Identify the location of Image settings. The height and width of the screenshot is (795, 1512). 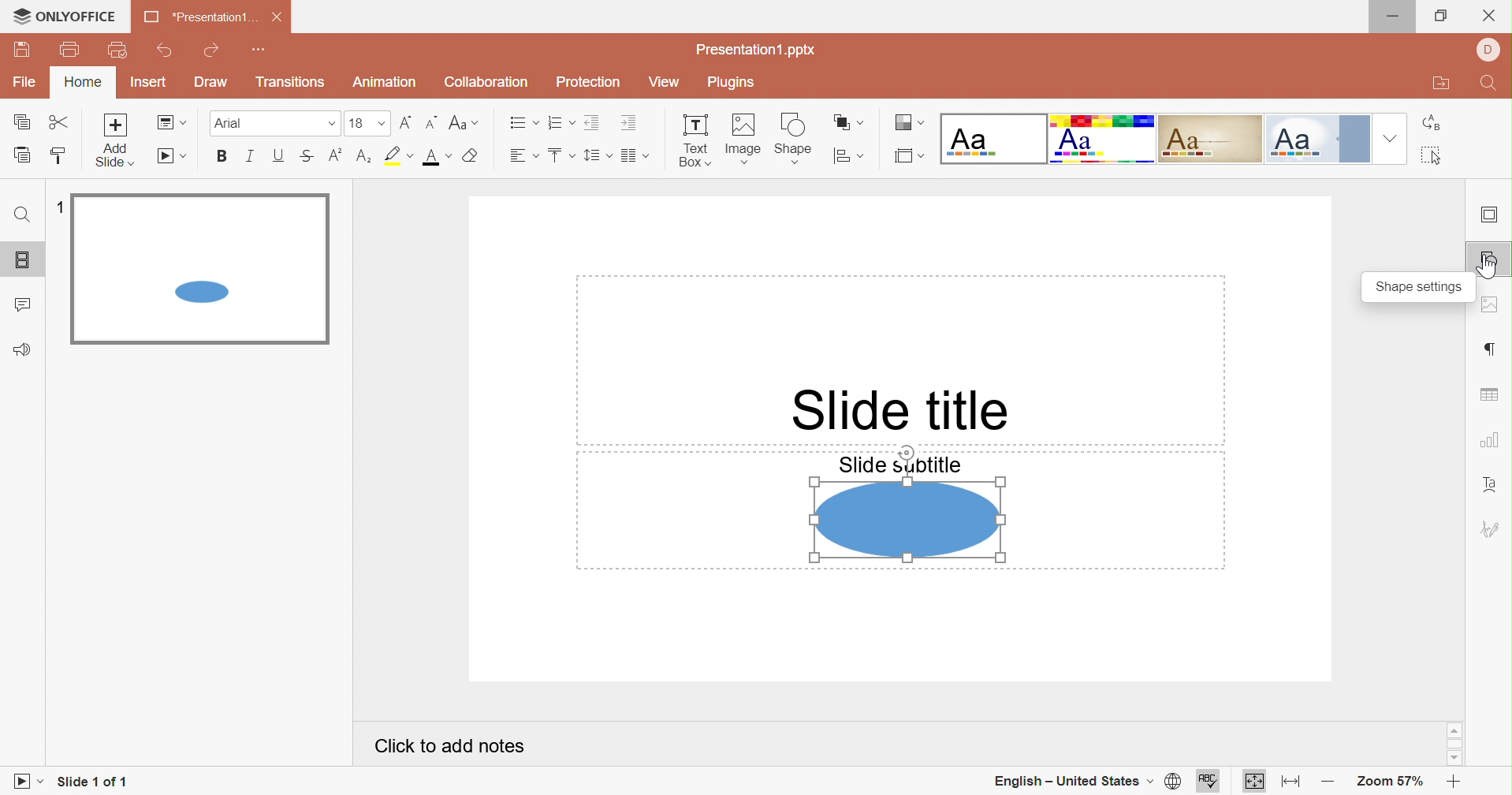
(1492, 305).